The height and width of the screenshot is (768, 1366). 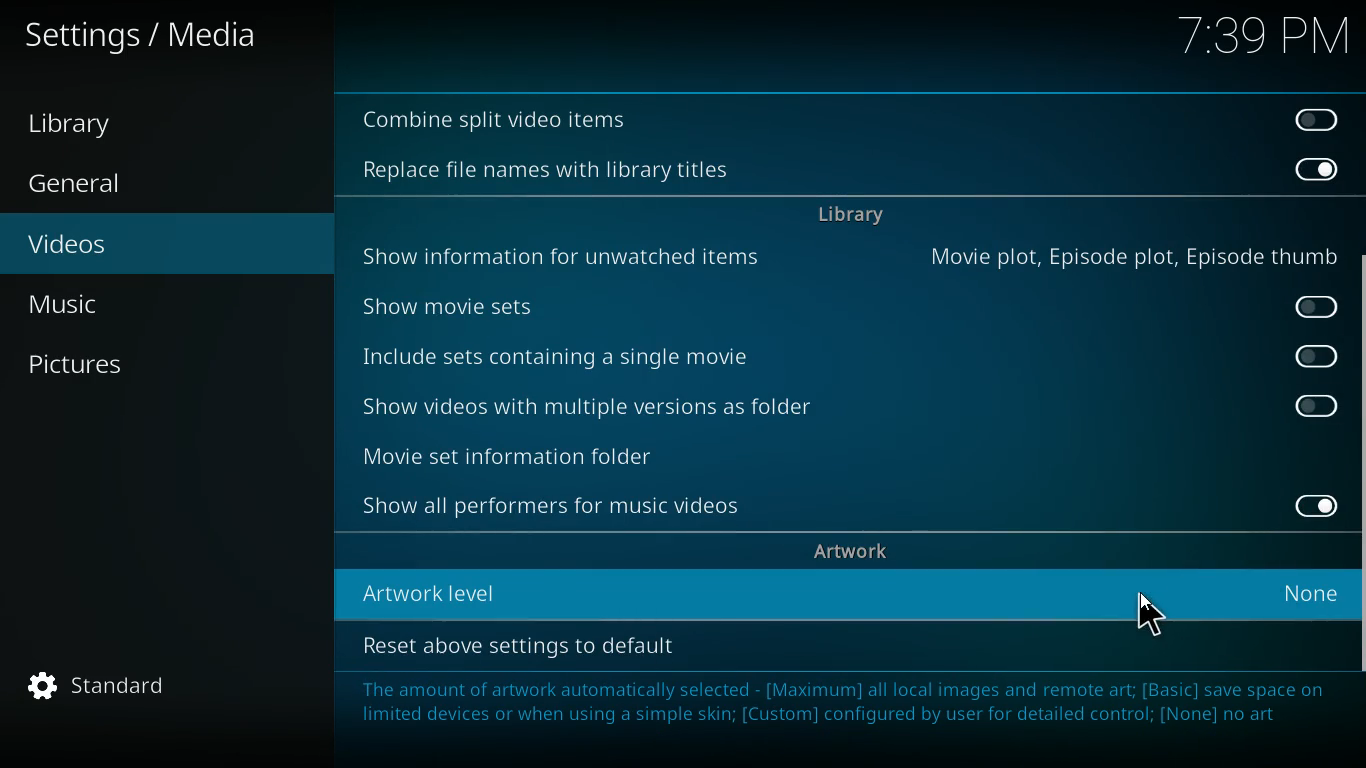 What do you see at coordinates (1313, 118) in the screenshot?
I see `off` at bounding box center [1313, 118].